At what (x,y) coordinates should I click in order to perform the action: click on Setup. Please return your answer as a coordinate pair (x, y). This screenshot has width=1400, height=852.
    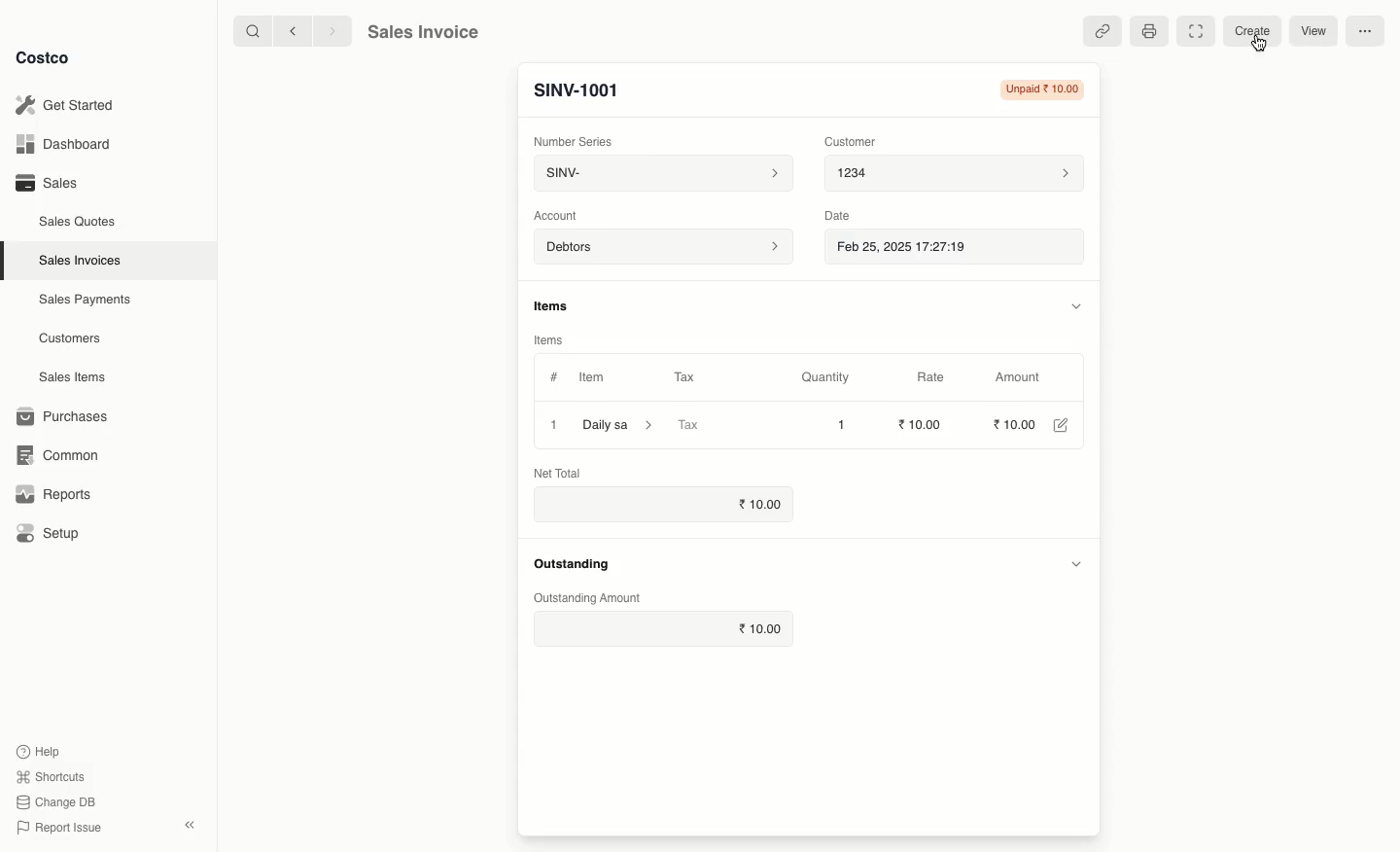
    Looking at the image, I should click on (49, 531).